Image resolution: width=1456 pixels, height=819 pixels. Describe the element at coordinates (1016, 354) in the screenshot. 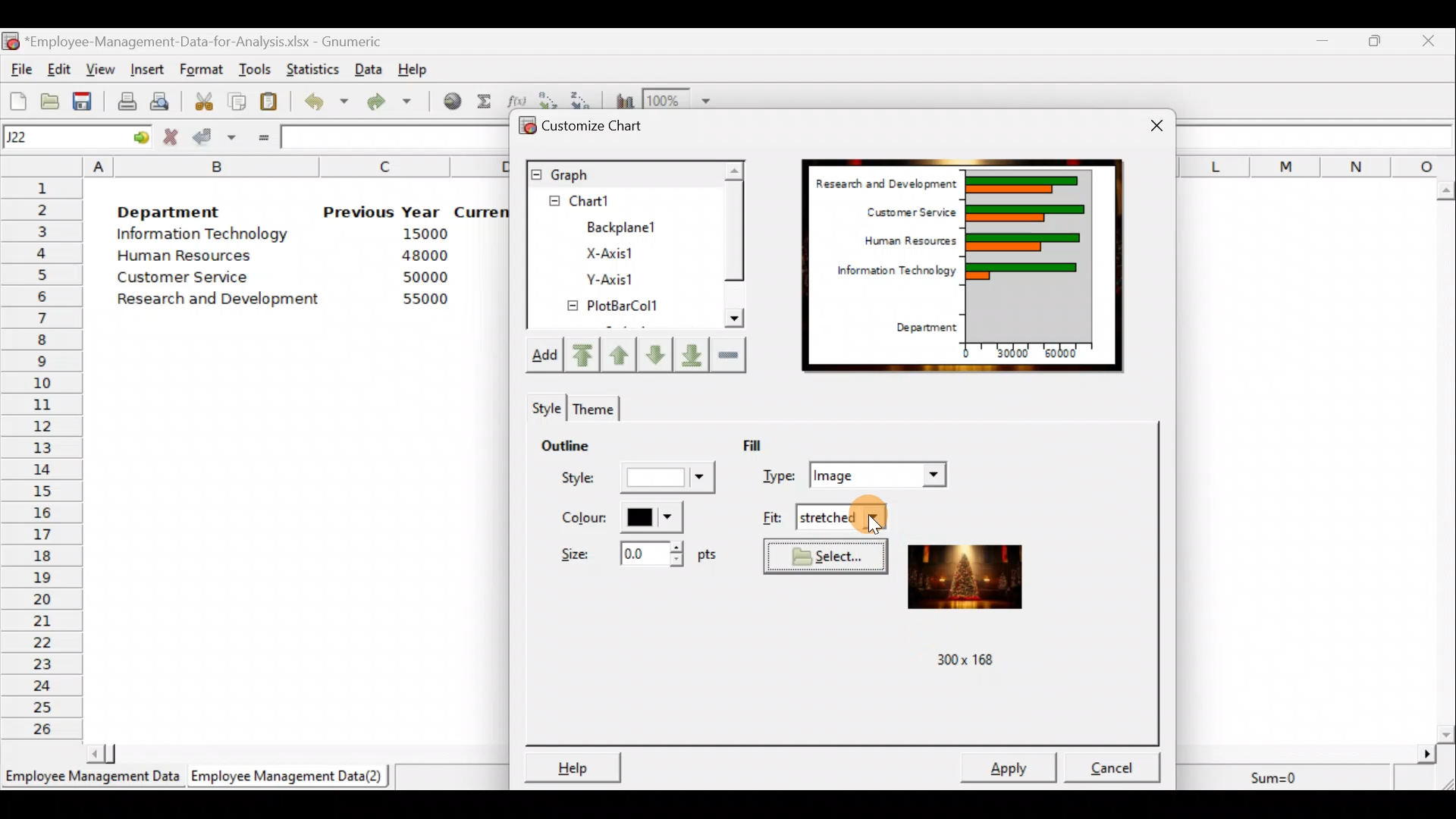

I see `30000` at that location.